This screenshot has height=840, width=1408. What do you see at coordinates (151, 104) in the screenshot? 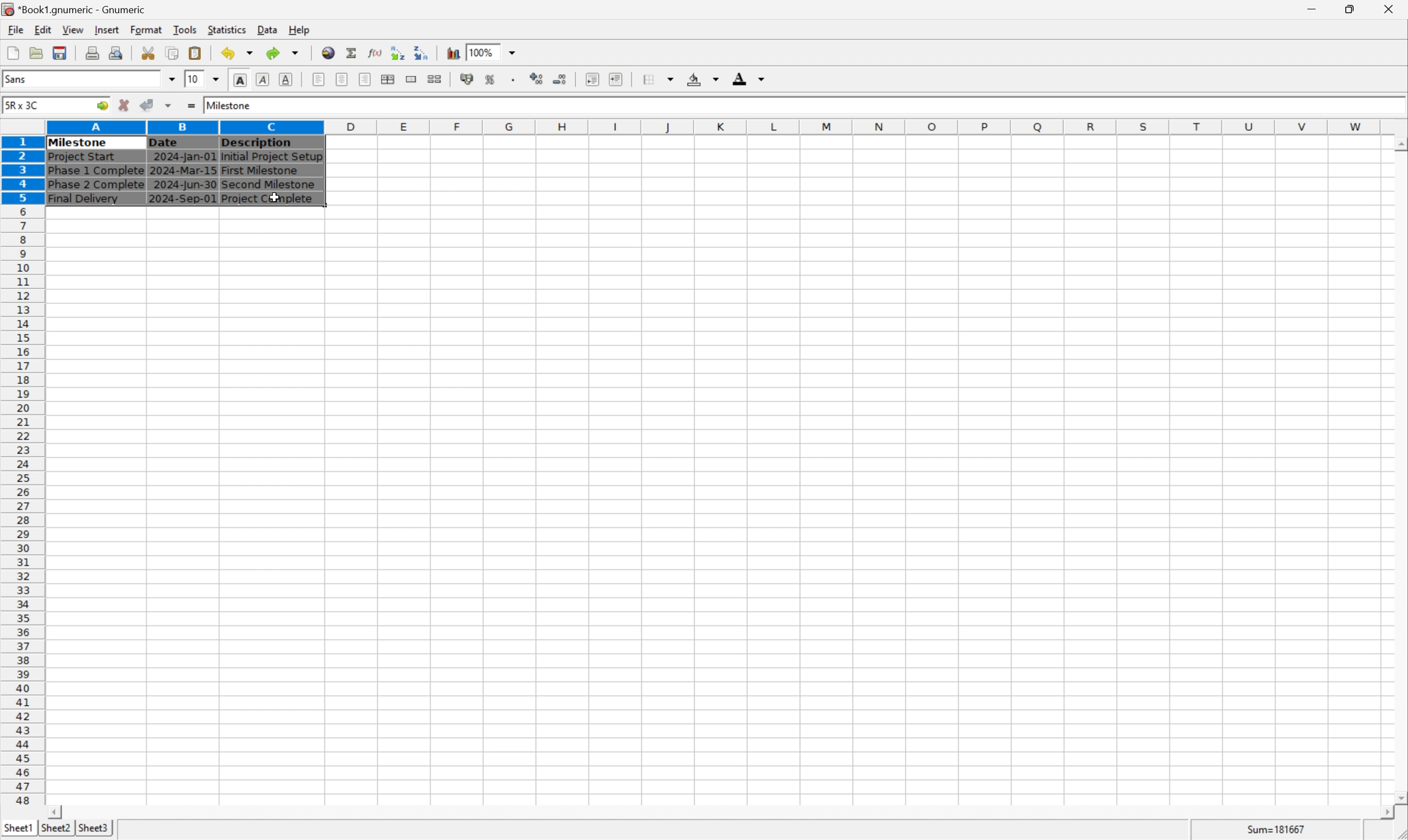
I see `accept changes` at bounding box center [151, 104].